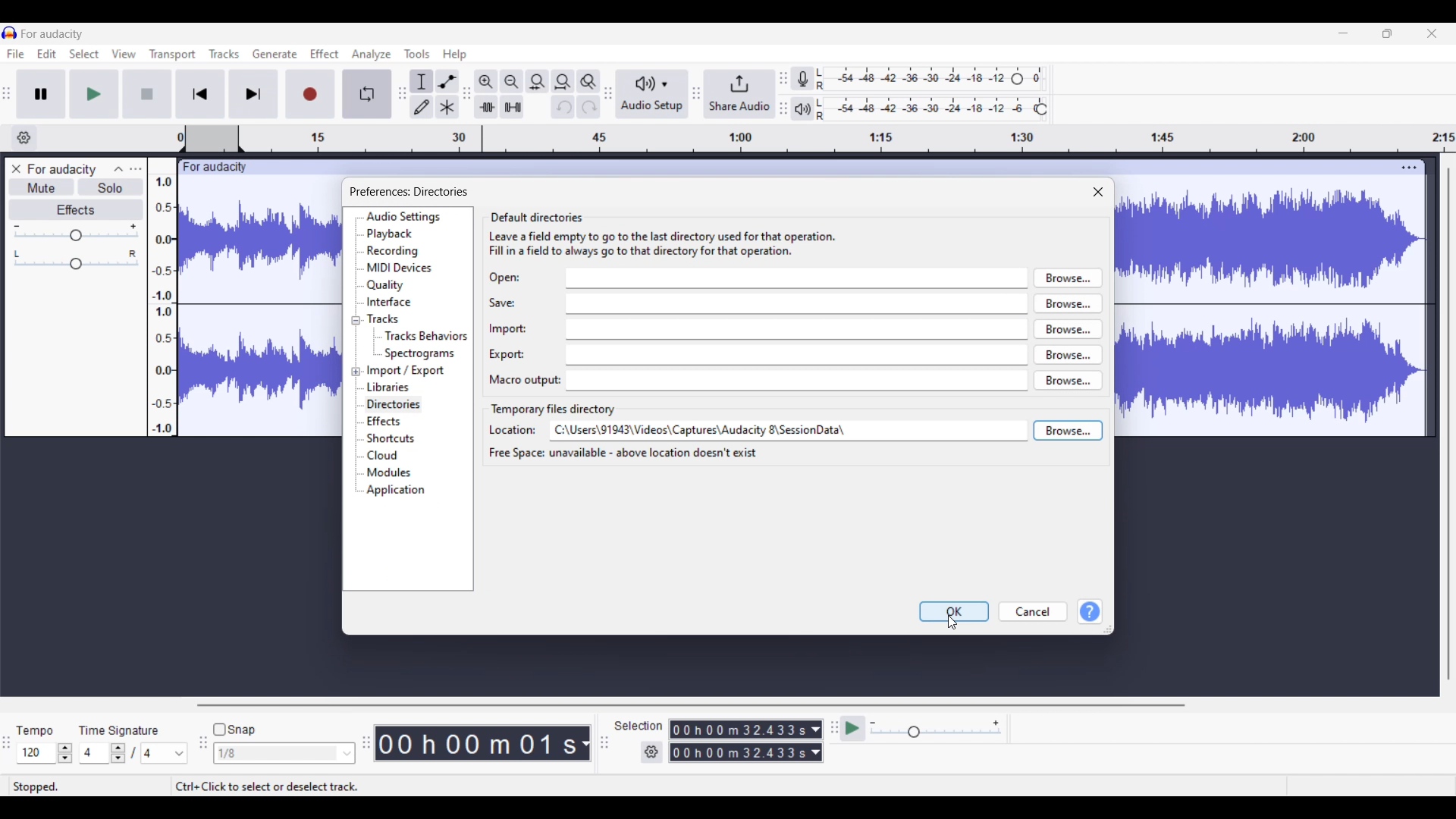 Image resolution: width=1456 pixels, height=819 pixels. What do you see at coordinates (1068, 328) in the screenshot?
I see `browse` at bounding box center [1068, 328].